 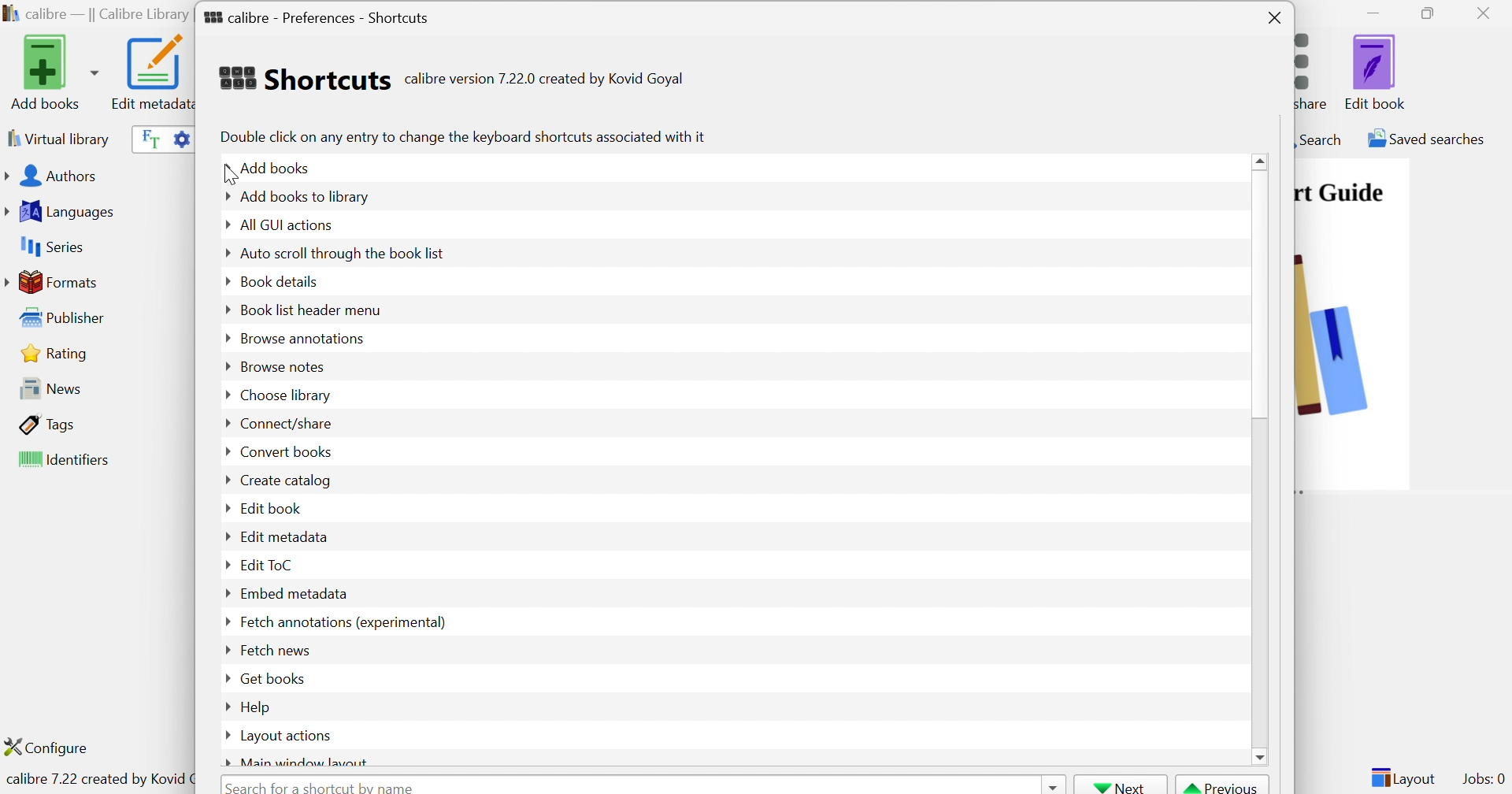 What do you see at coordinates (225, 451) in the screenshot?
I see `Drop Down` at bounding box center [225, 451].